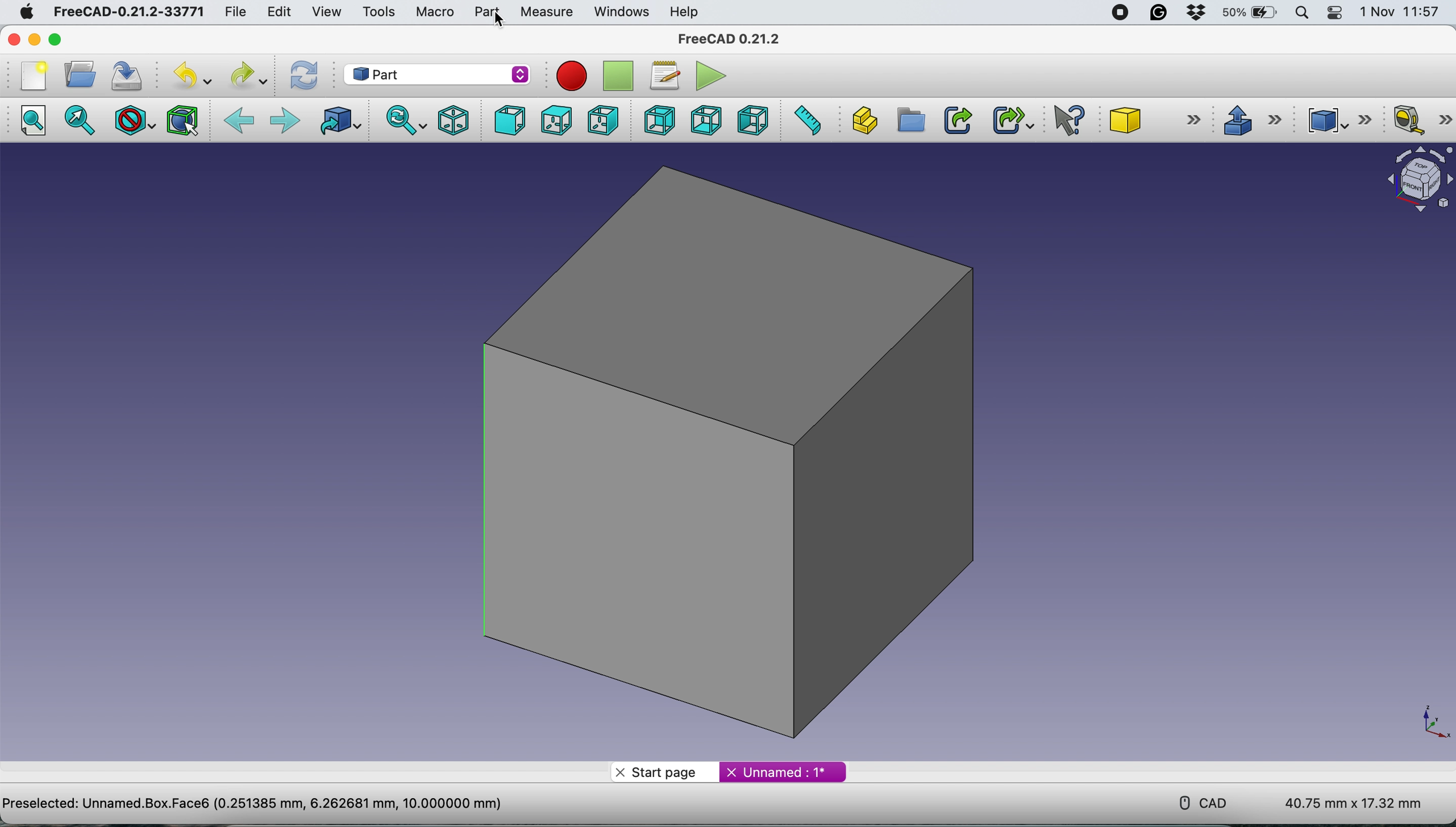 This screenshot has height=827, width=1456. Describe the element at coordinates (502, 19) in the screenshot. I see `cursor` at that location.